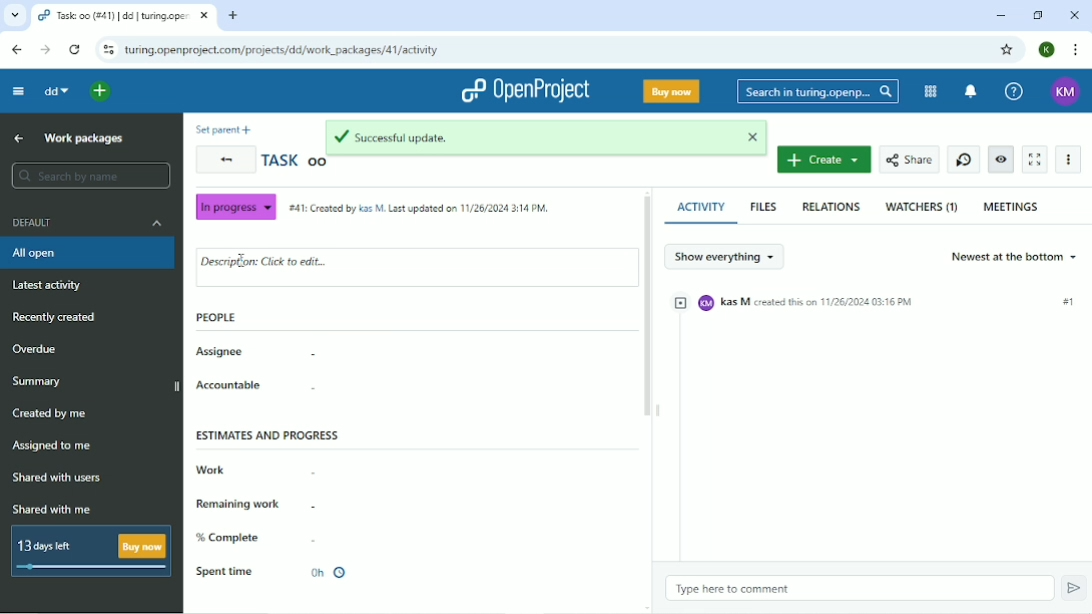  I want to click on 13 days left Buy now, so click(90, 551).